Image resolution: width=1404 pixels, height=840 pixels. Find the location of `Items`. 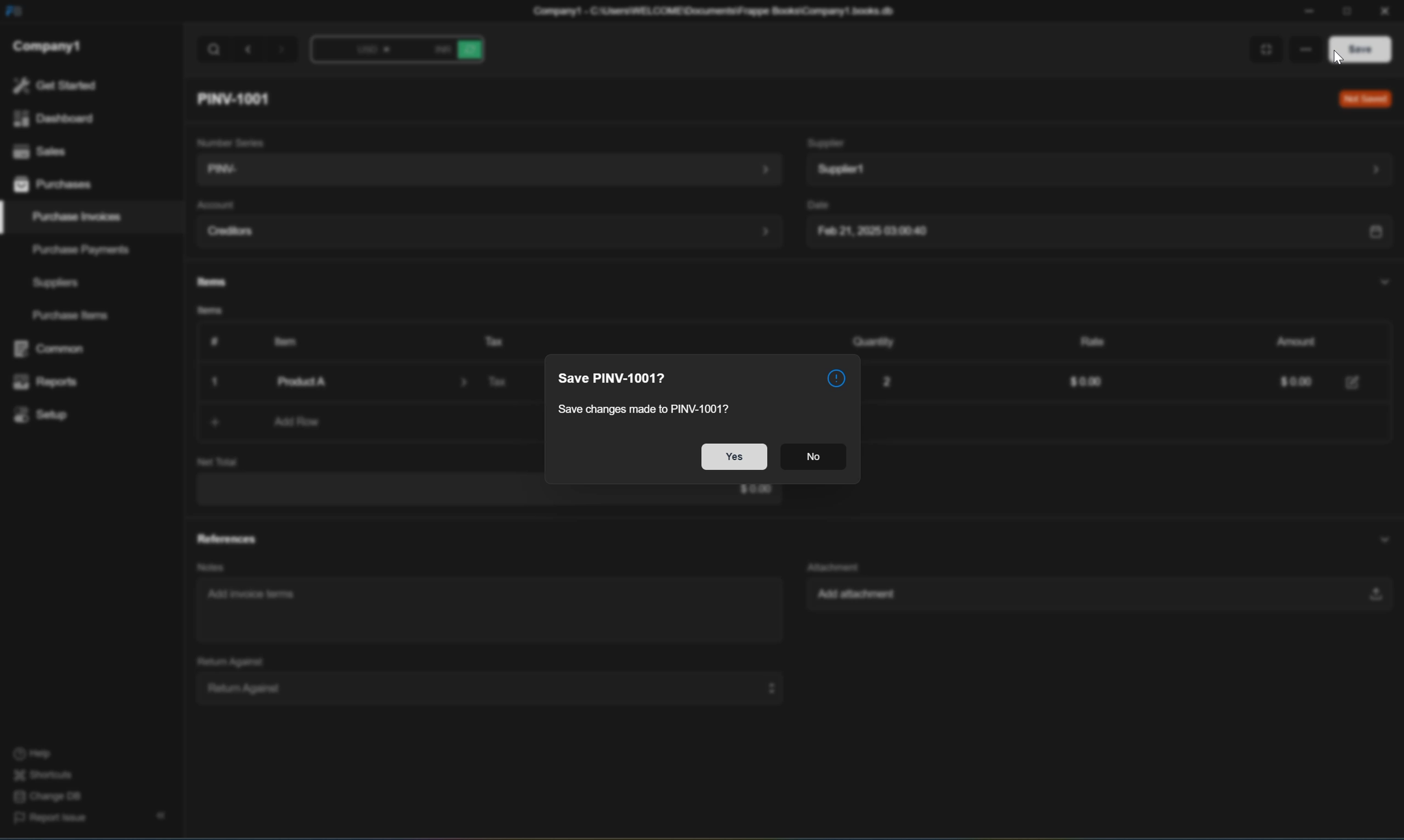

Items is located at coordinates (208, 282).